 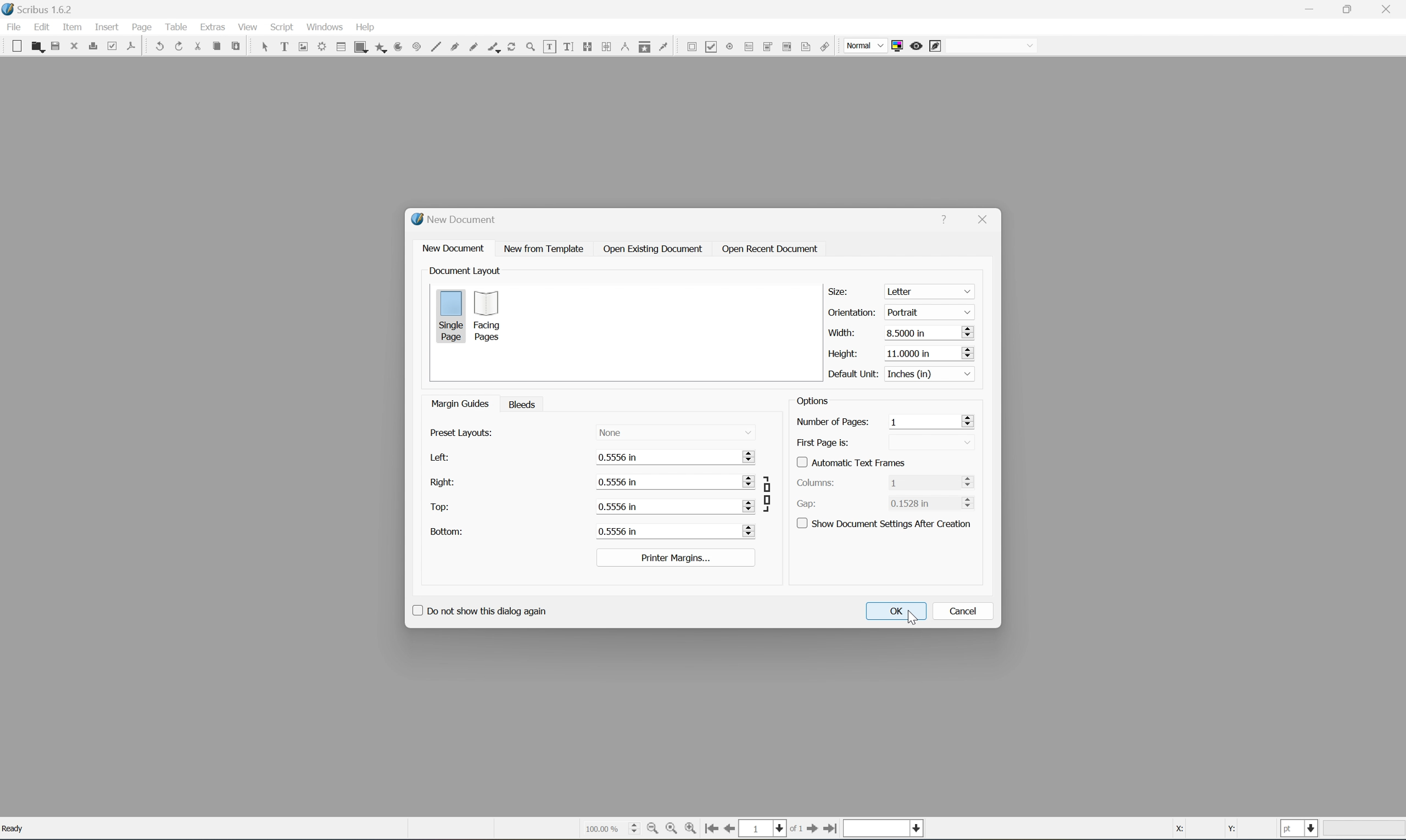 I want to click on open, so click(x=37, y=46).